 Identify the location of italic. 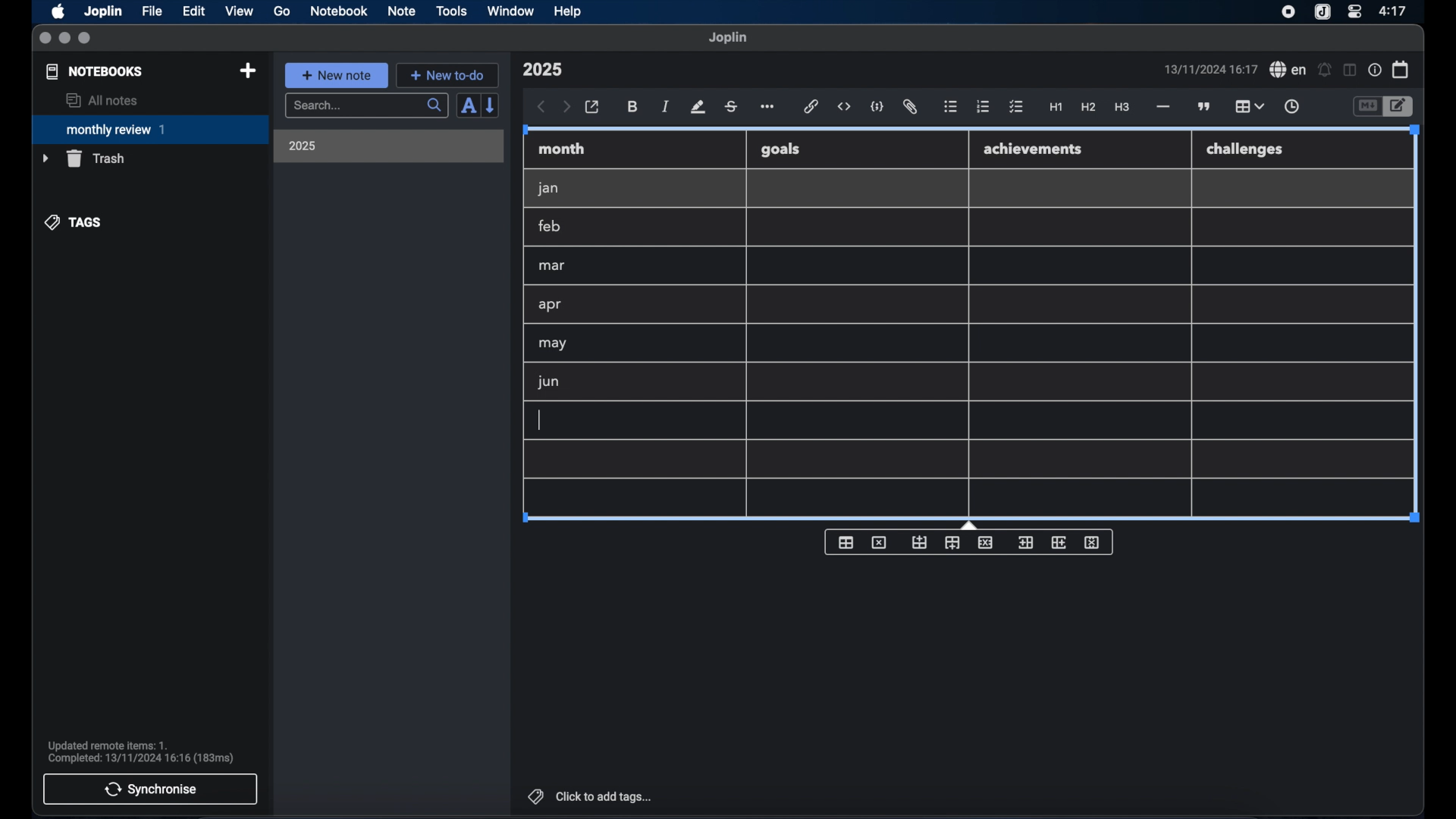
(666, 106).